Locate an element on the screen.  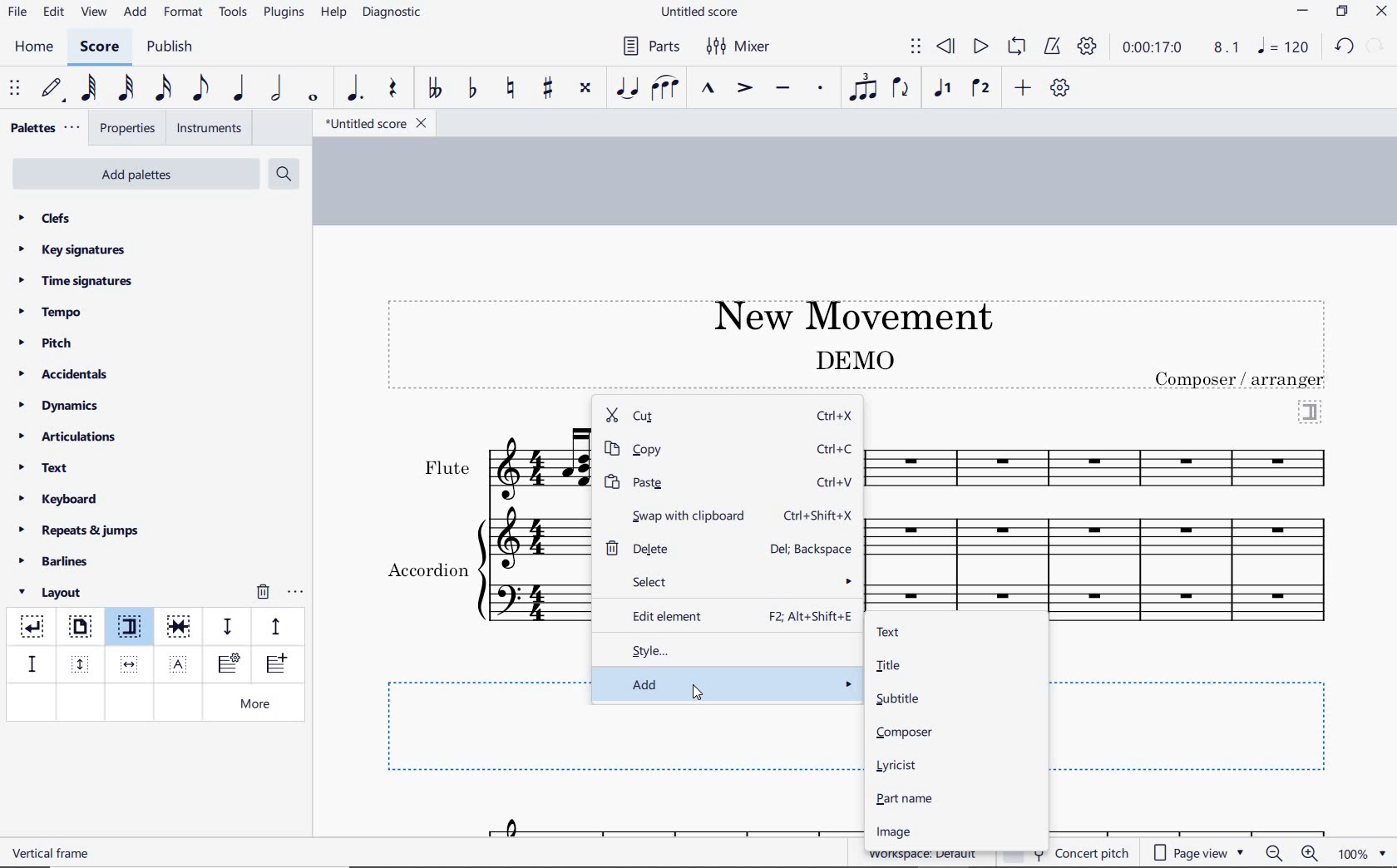
page view is located at coordinates (1199, 853).